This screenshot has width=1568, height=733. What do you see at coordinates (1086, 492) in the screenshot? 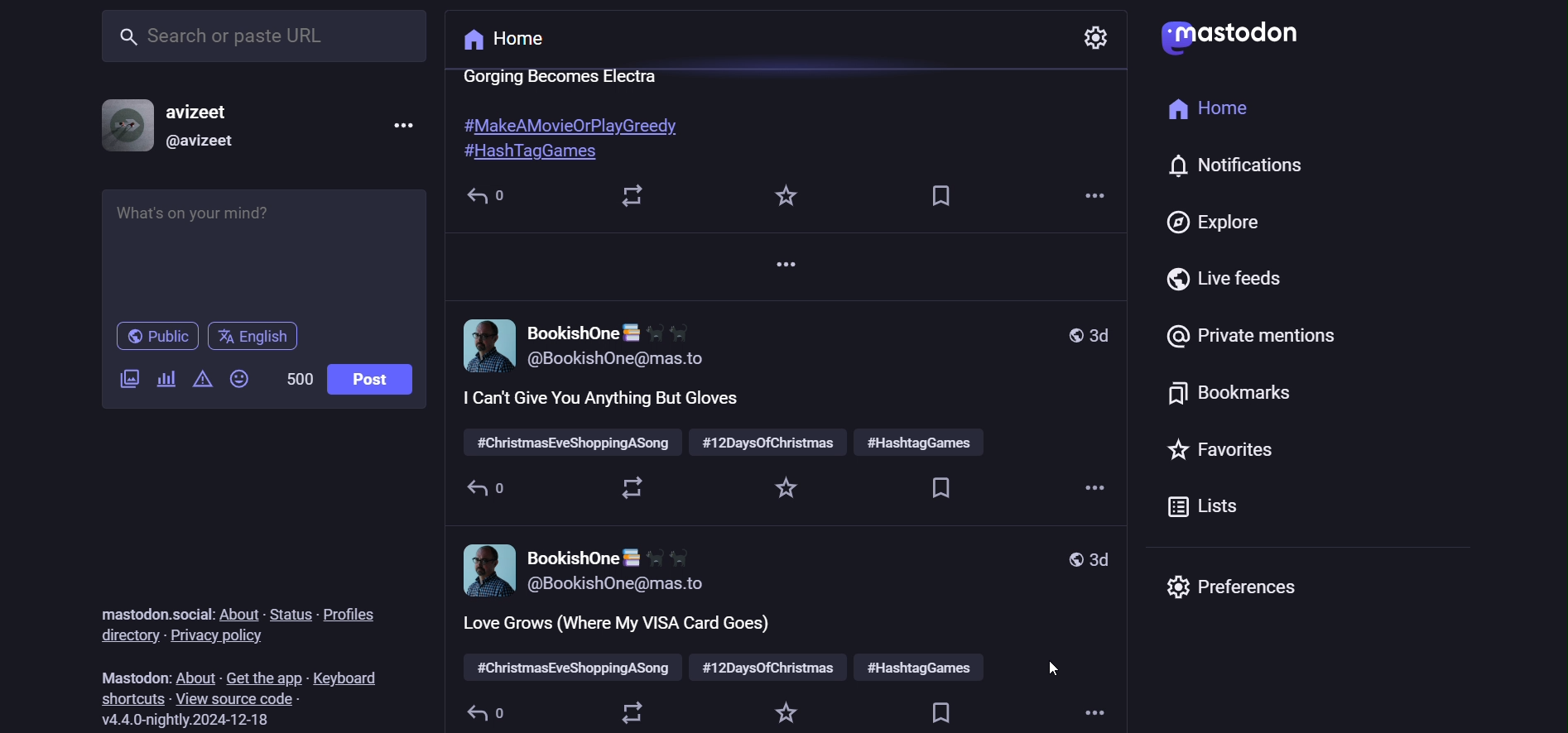
I see `more` at bounding box center [1086, 492].